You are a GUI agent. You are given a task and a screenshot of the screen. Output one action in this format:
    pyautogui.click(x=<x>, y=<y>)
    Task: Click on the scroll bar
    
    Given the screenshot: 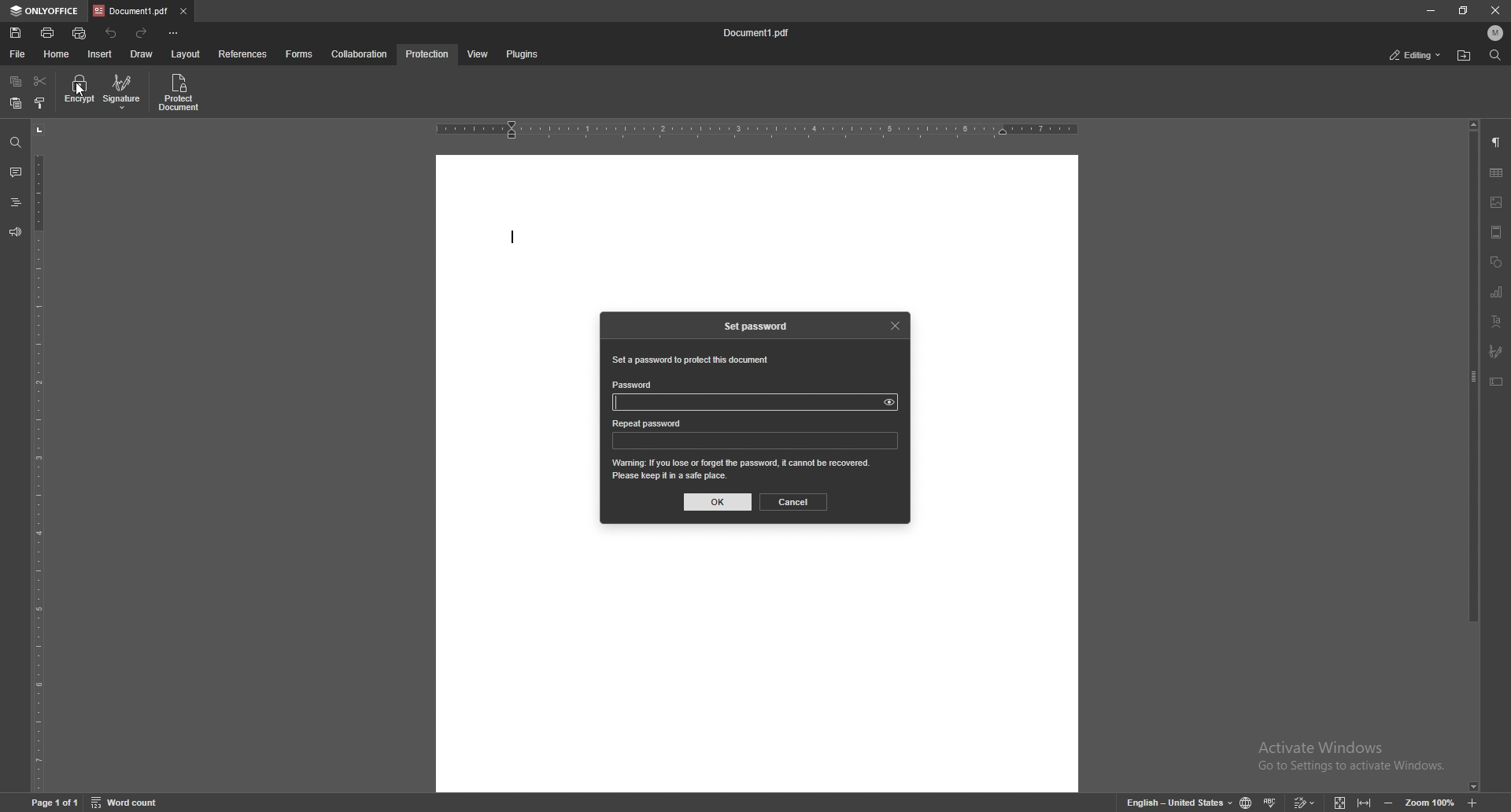 What is the action you would take?
    pyautogui.click(x=1472, y=456)
    